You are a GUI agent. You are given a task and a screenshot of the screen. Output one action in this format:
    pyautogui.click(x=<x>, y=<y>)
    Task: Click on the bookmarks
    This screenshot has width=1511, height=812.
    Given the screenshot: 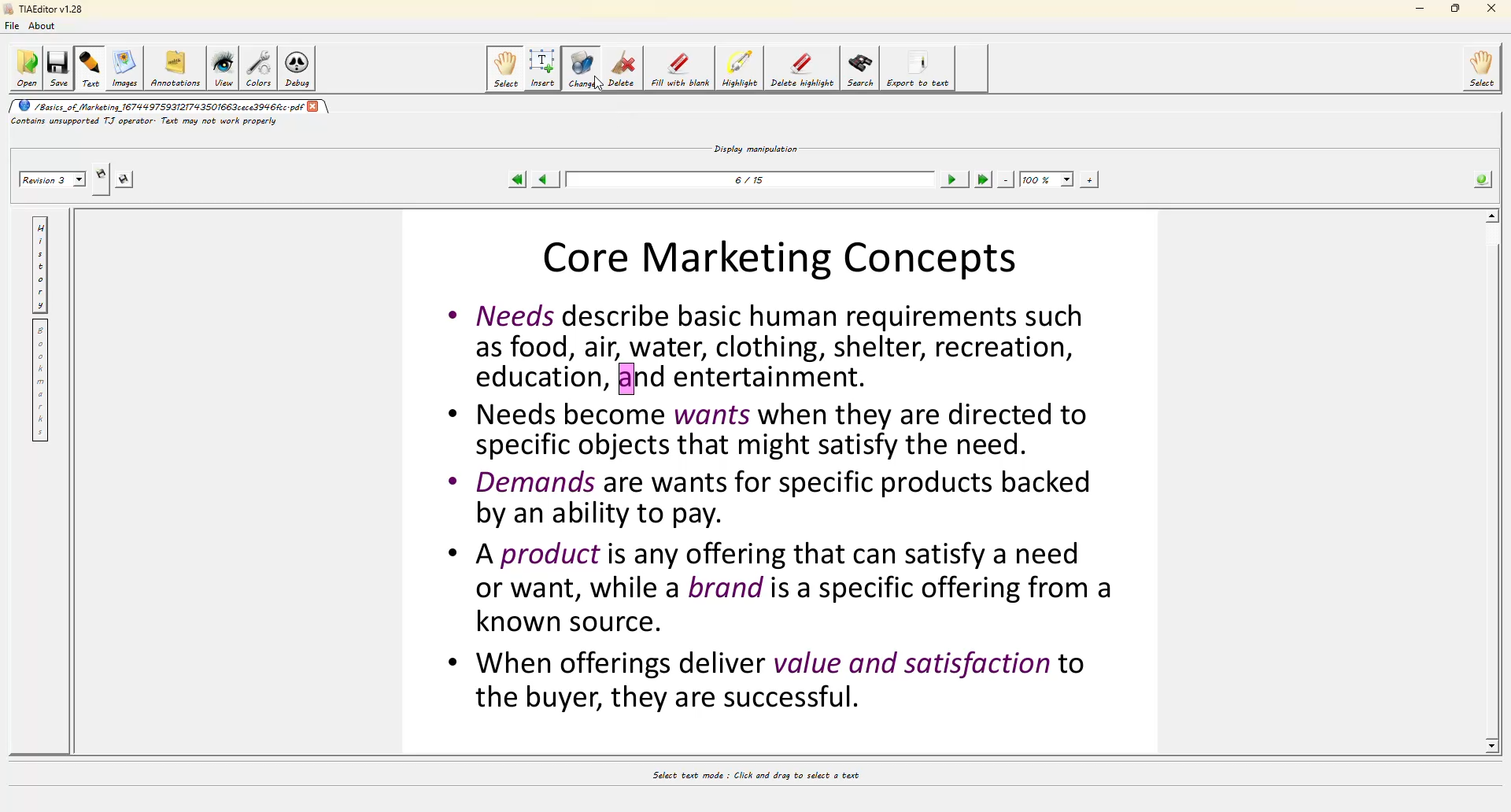 What is the action you would take?
    pyautogui.click(x=41, y=381)
    